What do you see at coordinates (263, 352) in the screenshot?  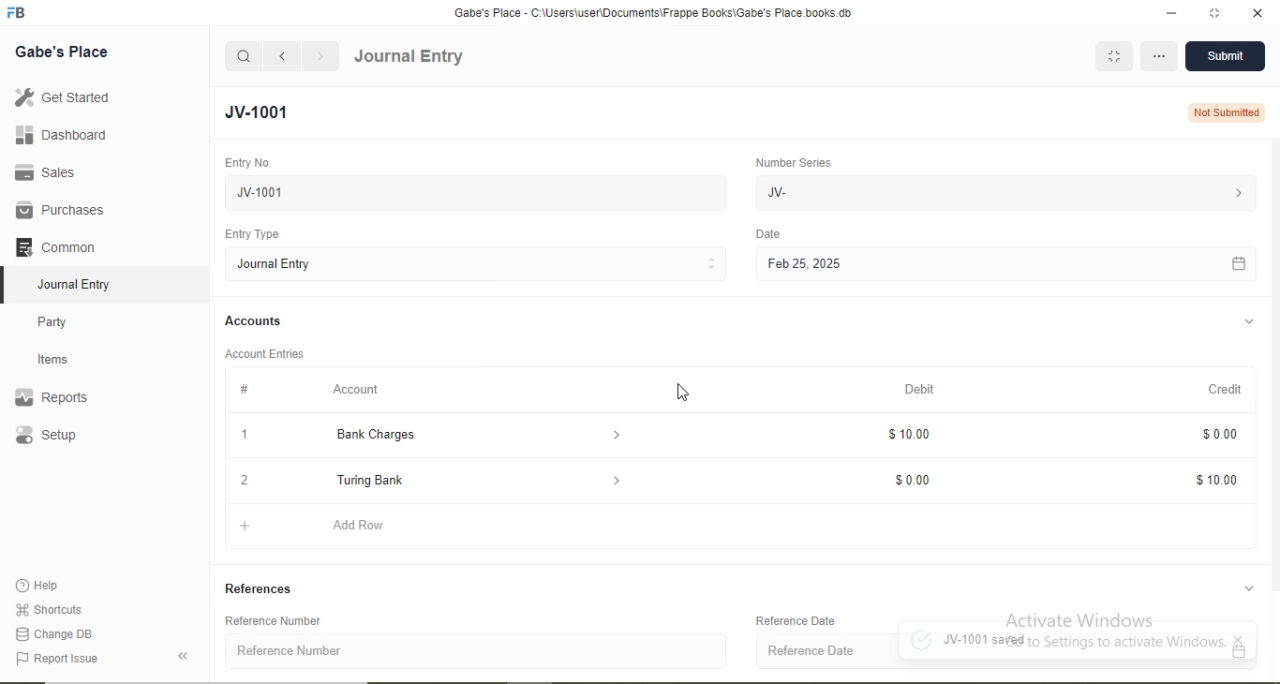 I see `Account Entries` at bounding box center [263, 352].